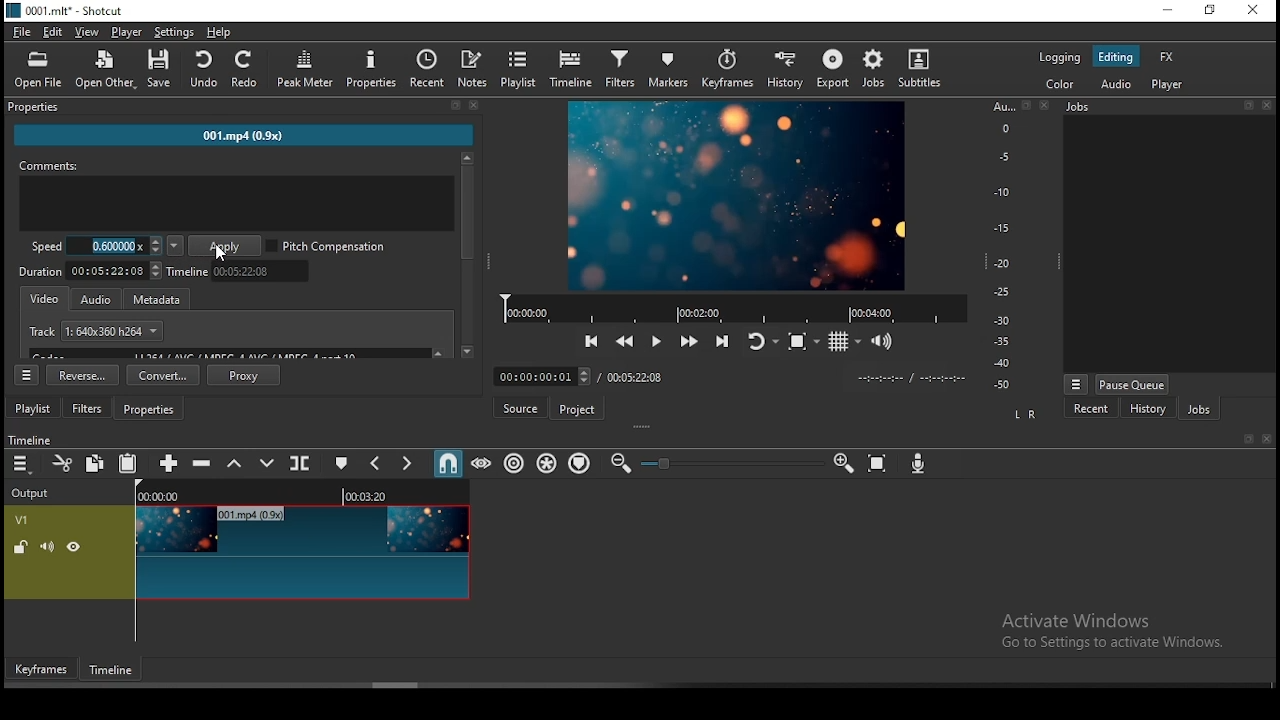 The width and height of the screenshot is (1280, 720). Describe the element at coordinates (785, 68) in the screenshot. I see `history` at that location.